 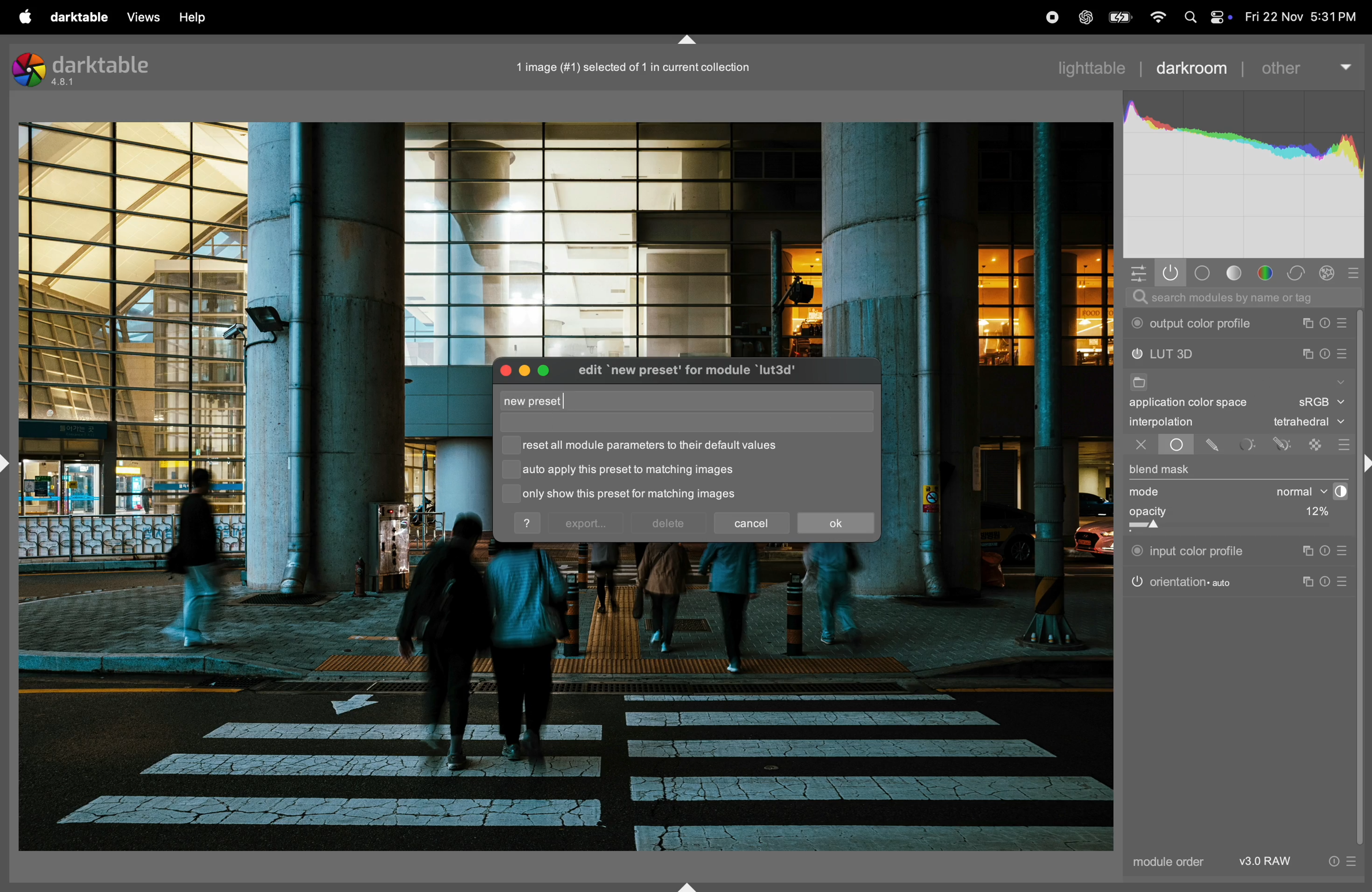 What do you see at coordinates (566, 400) in the screenshot?
I see `cursor` at bounding box center [566, 400].